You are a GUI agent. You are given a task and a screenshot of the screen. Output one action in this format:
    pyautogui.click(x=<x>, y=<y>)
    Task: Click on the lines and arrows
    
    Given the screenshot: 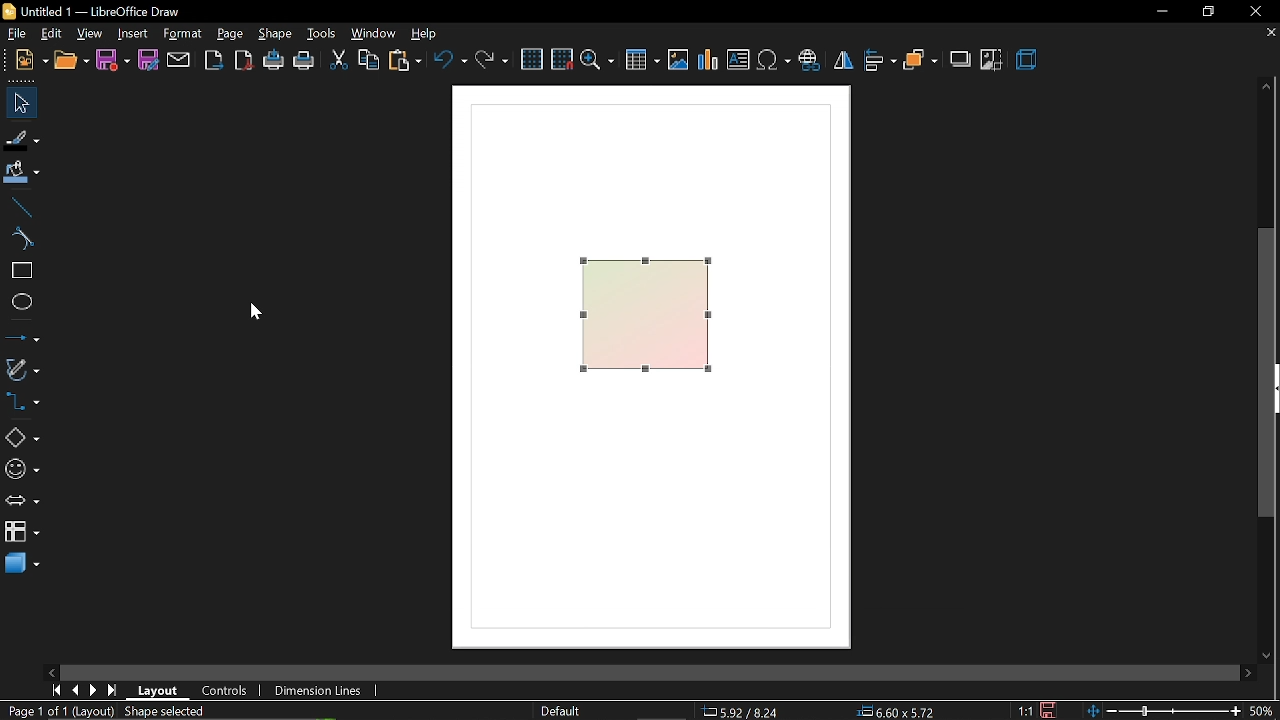 What is the action you would take?
    pyautogui.click(x=23, y=338)
    